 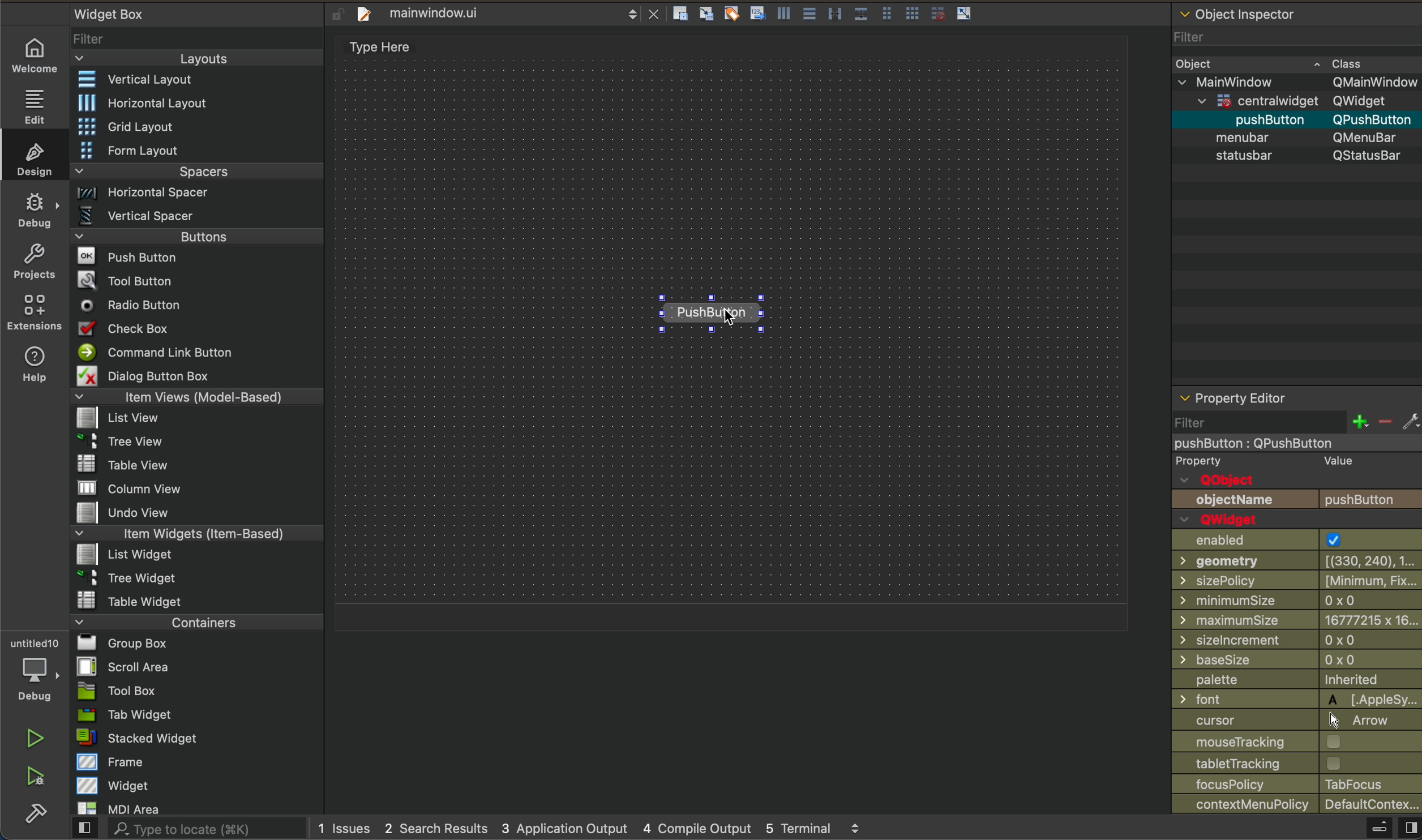 What do you see at coordinates (197, 352) in the screenshot?
I see `Command line button` at bounding box center [197, 352].